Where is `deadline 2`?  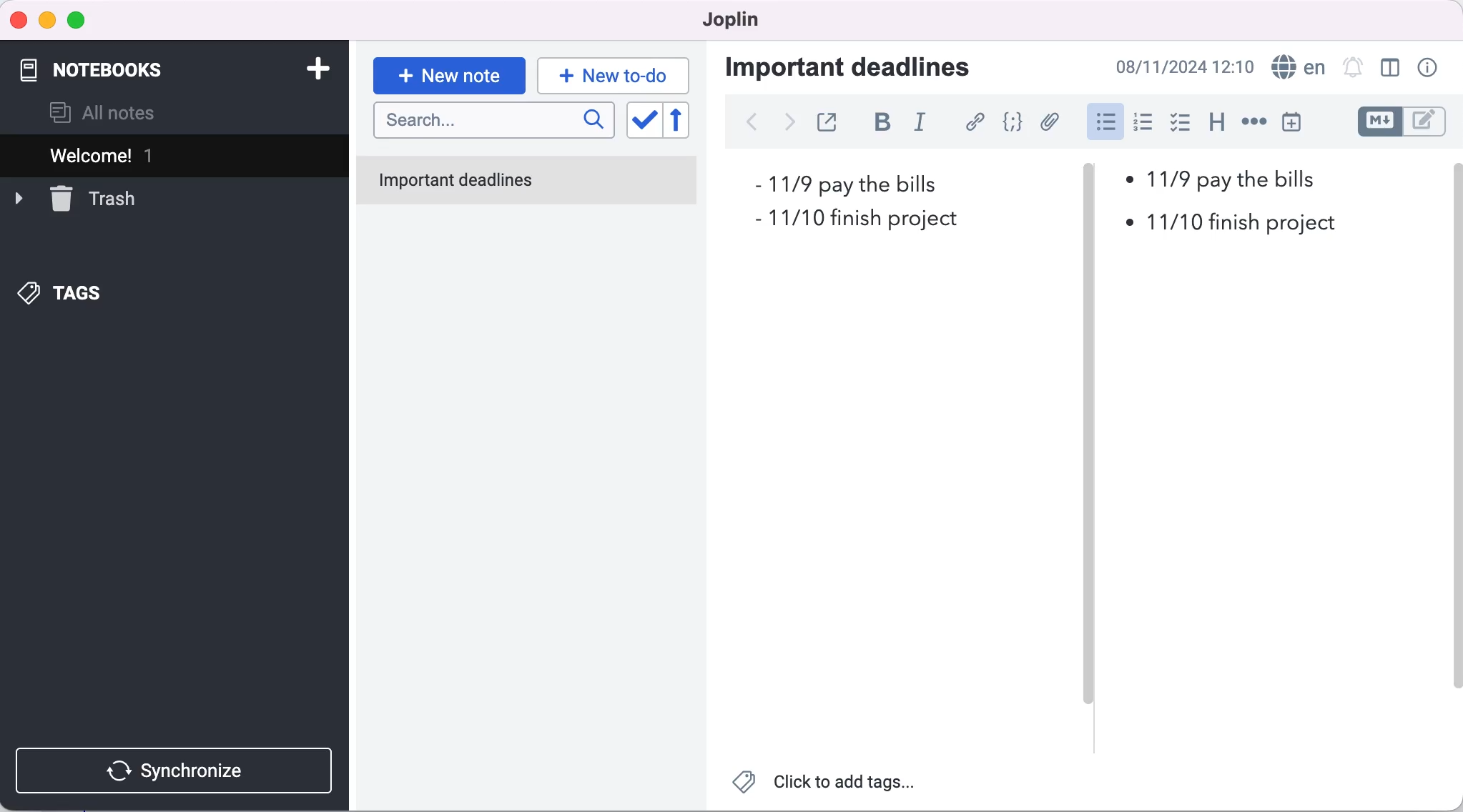
deadline 2 is located at coordinates (874, 220).